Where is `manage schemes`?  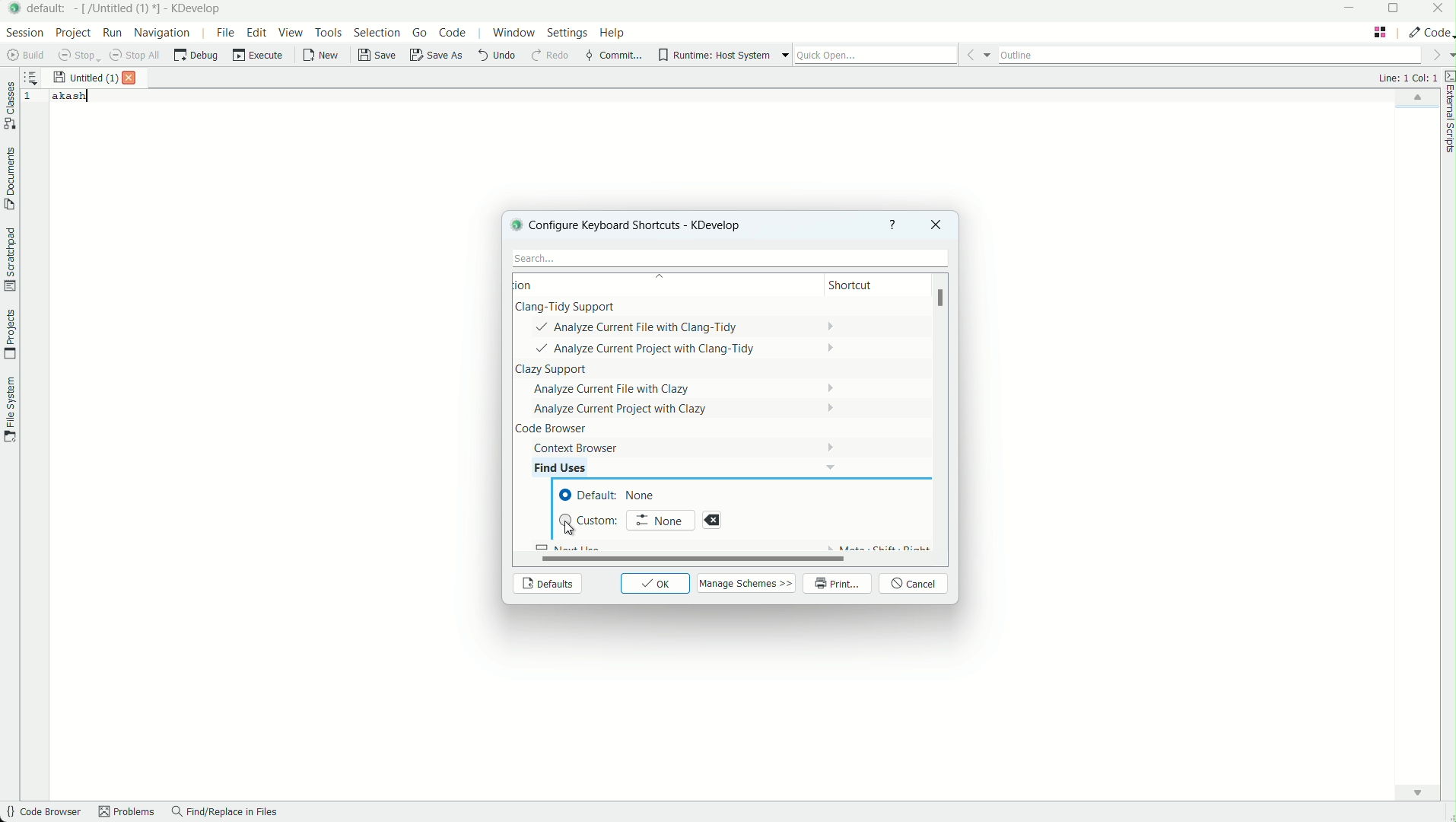
manage schemes is located at coordinates (748, 583).